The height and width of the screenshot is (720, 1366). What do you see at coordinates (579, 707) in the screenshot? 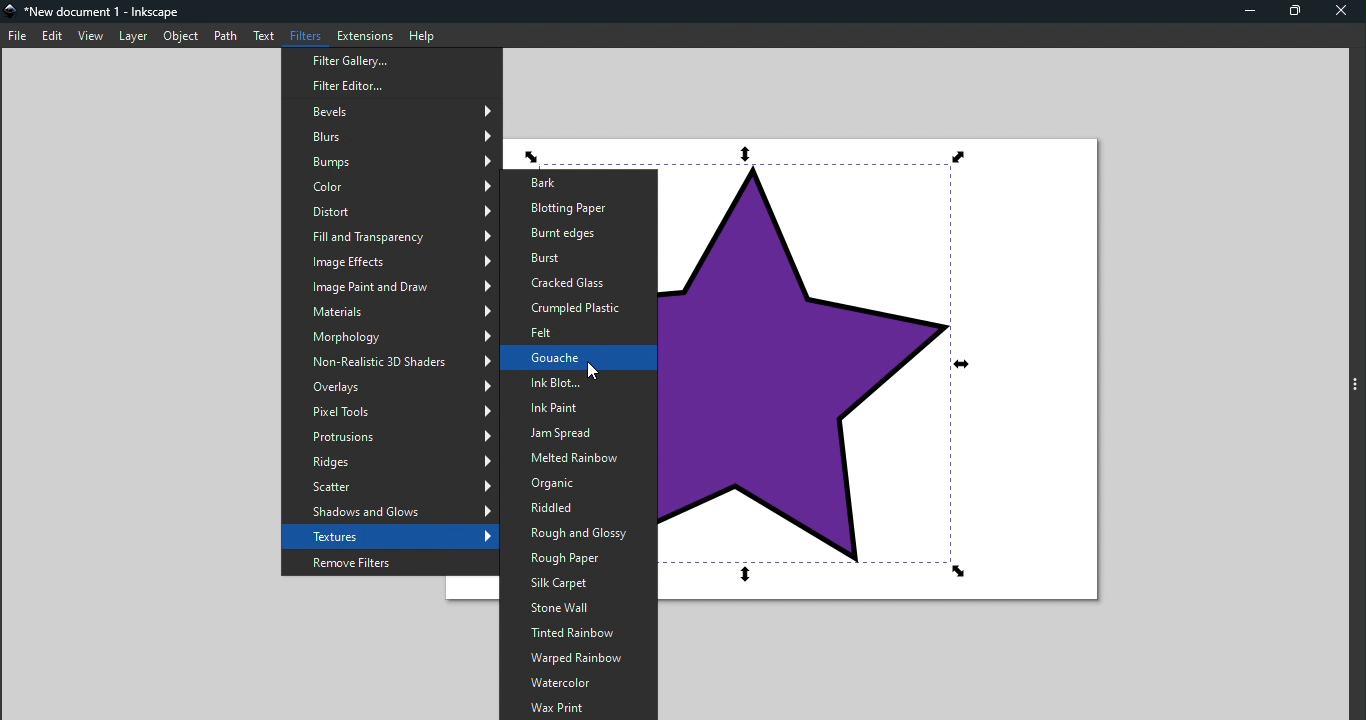
I see `Wax paint` at bounding box center [579, 707].